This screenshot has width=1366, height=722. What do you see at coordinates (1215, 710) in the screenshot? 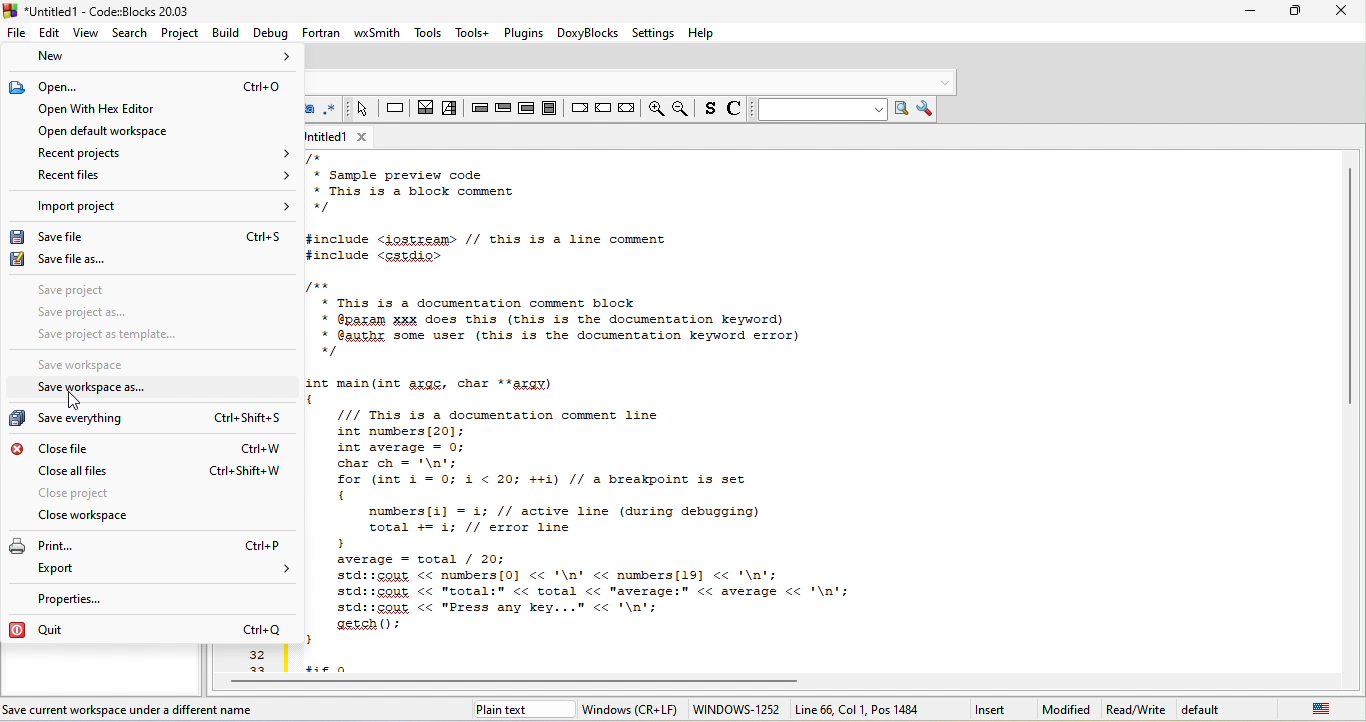
I see `default` at bounding box center [1215, 710].